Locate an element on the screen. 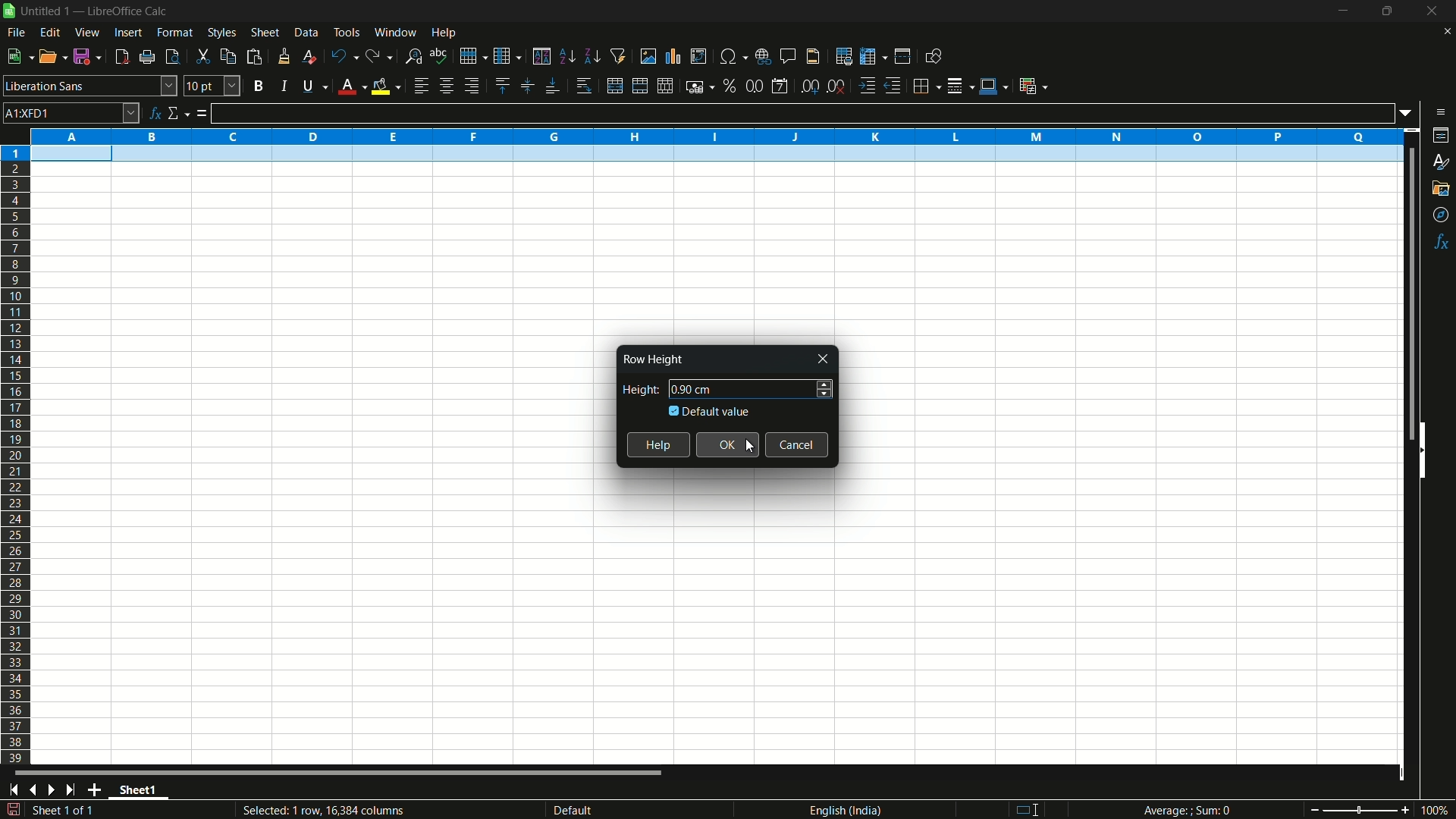 The height and width of the screenshot is (819, 1456). scroll to last sheet is located at coordinates (75, 790).